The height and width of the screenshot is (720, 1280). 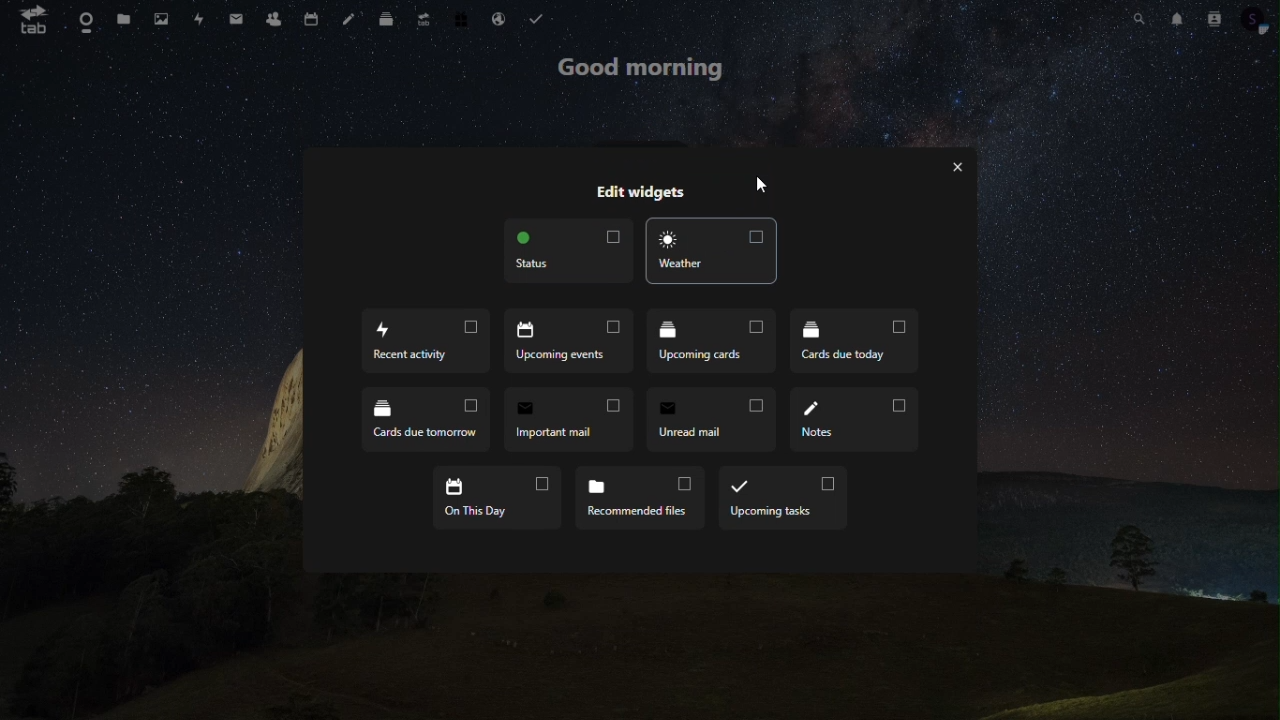 What do you see at coordinates (275, 21) in the screenshot?
I see `contacts` at bounding box center [275, 21].